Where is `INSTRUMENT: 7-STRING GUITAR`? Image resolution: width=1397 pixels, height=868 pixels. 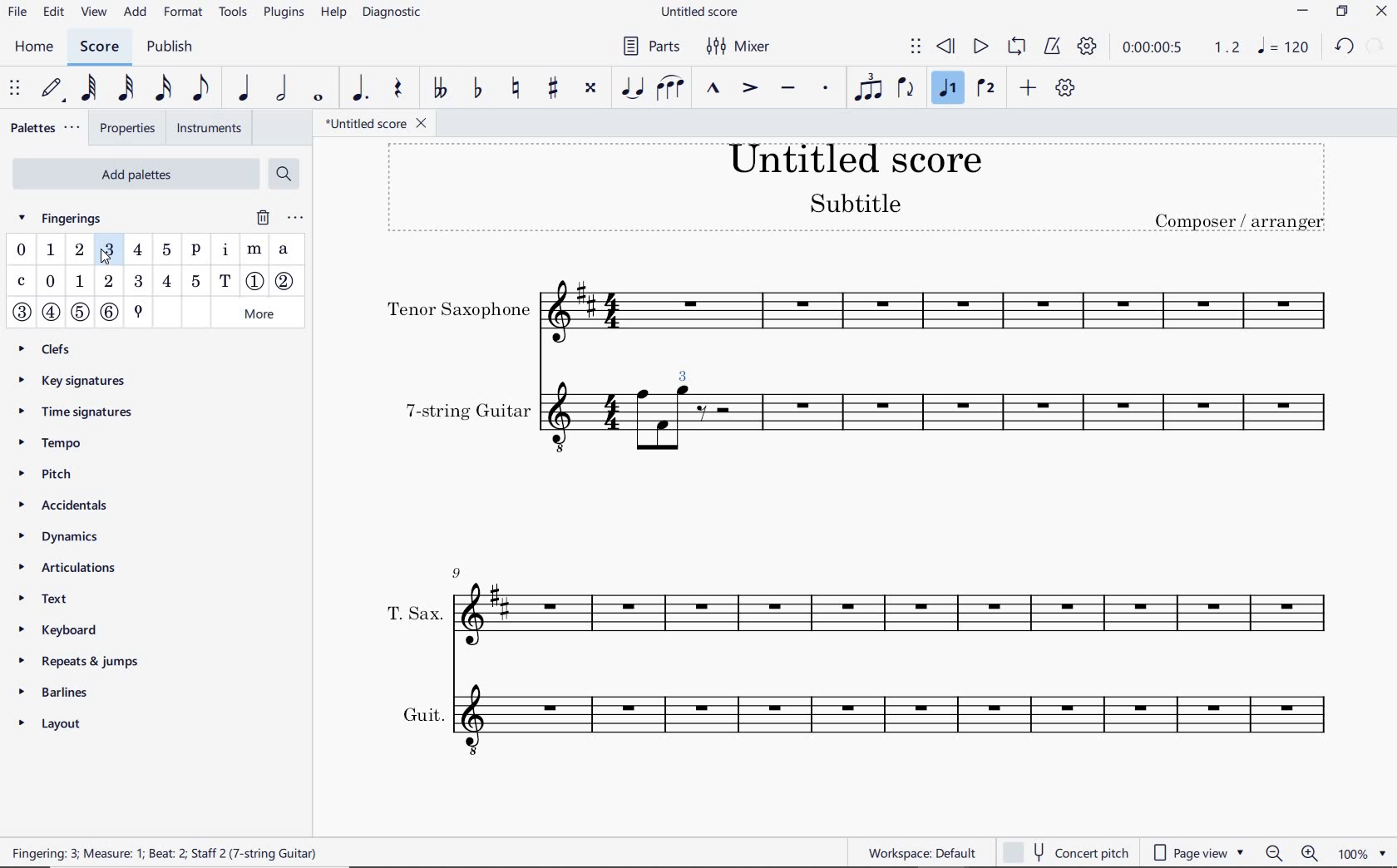
INSTRUMENT: 7-STRING GUITAR is located at coordinates (524, 421).